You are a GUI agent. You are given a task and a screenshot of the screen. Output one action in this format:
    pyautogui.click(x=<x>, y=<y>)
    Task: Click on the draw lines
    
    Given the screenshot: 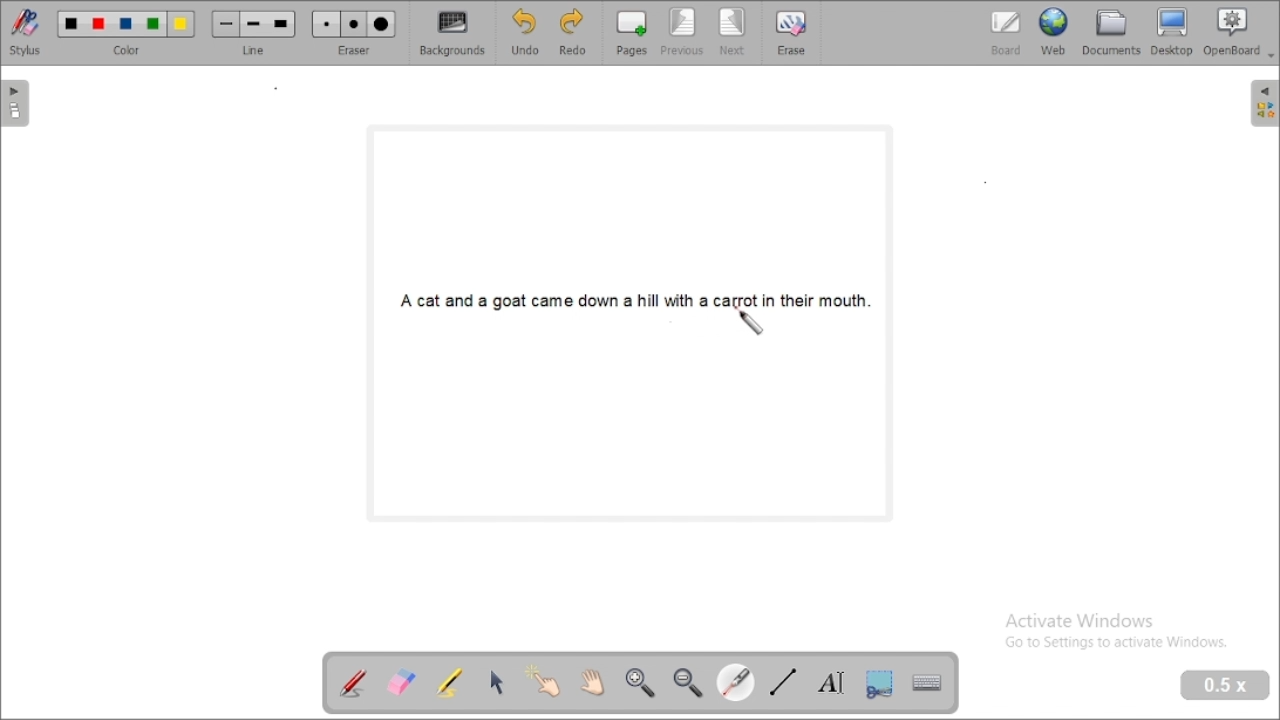 What is the action you would take?
    pyautogui.click(x=784, y=681)
    